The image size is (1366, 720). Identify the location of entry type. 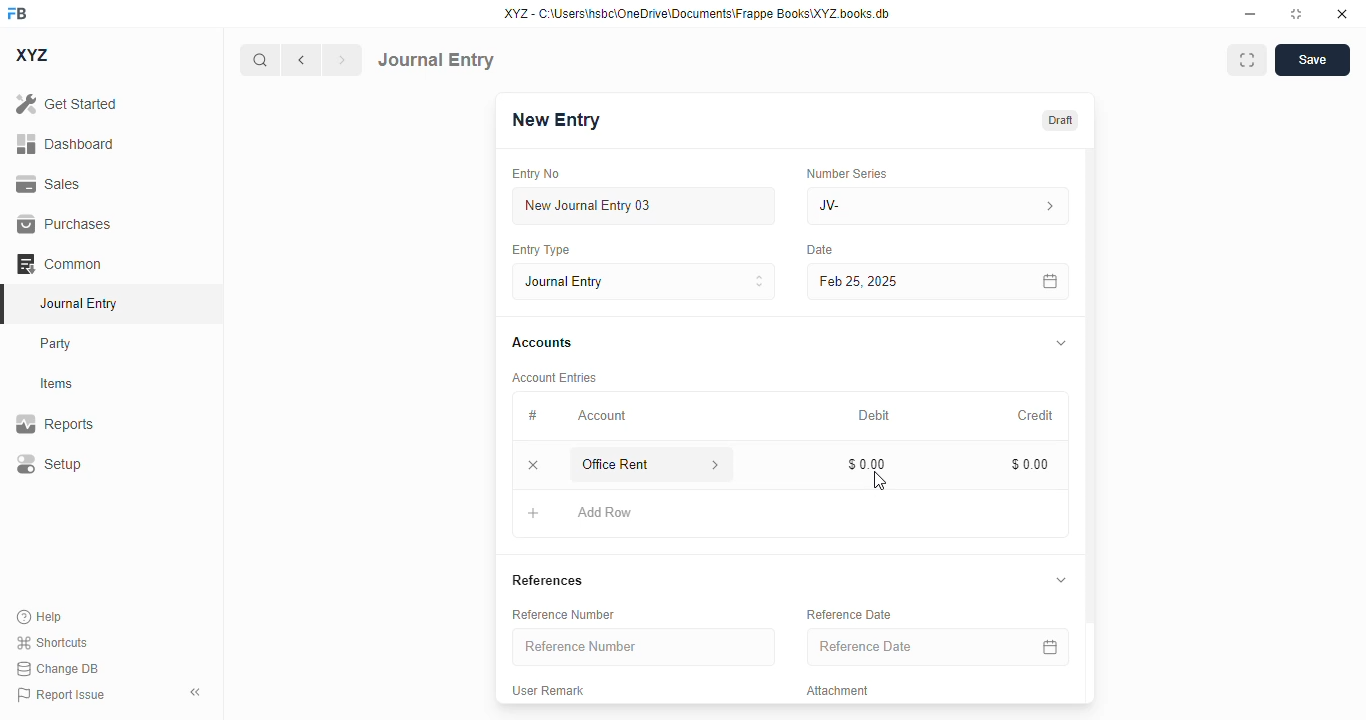
(539, 249).